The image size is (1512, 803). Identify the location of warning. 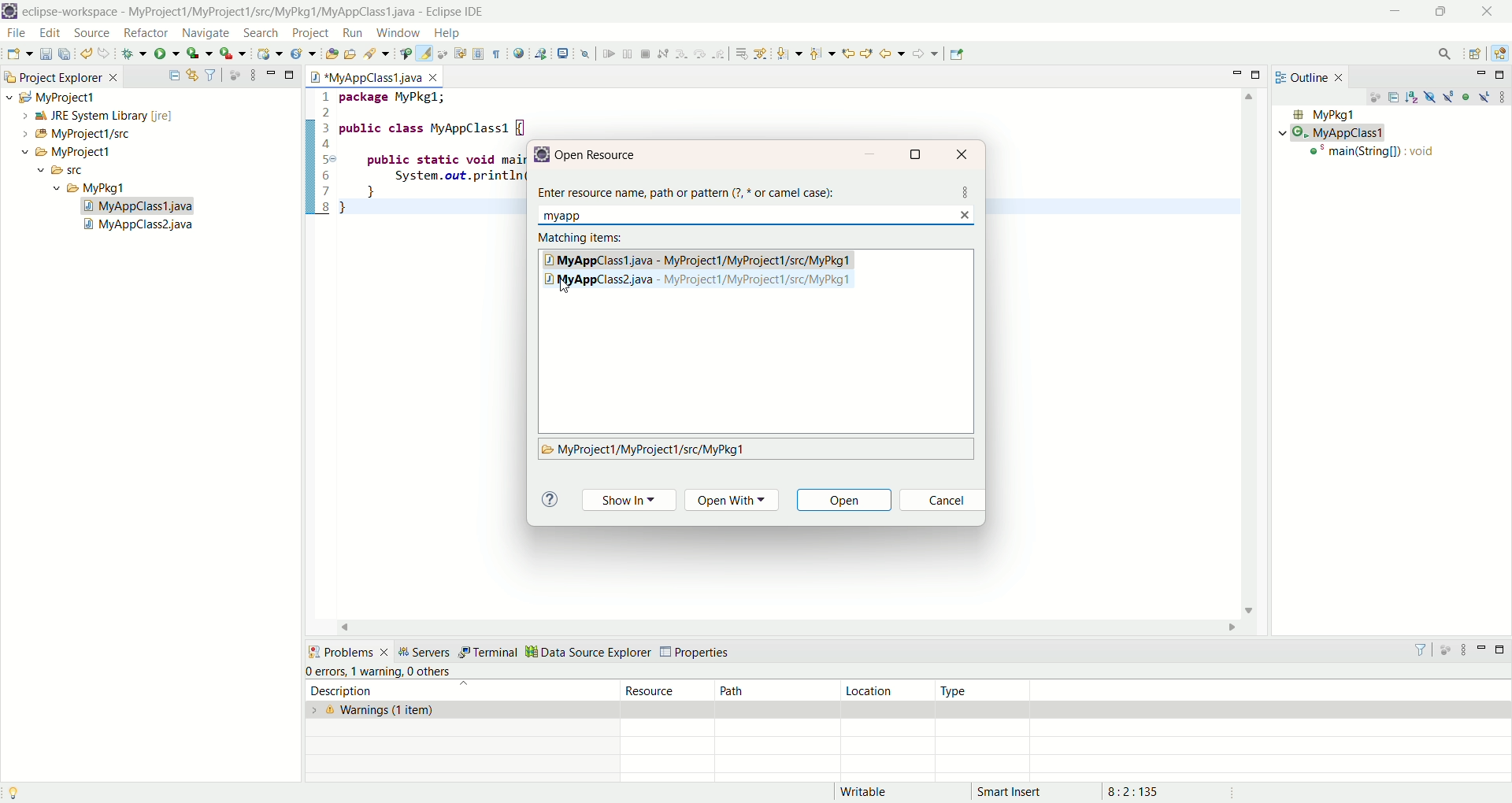
(376, 670).